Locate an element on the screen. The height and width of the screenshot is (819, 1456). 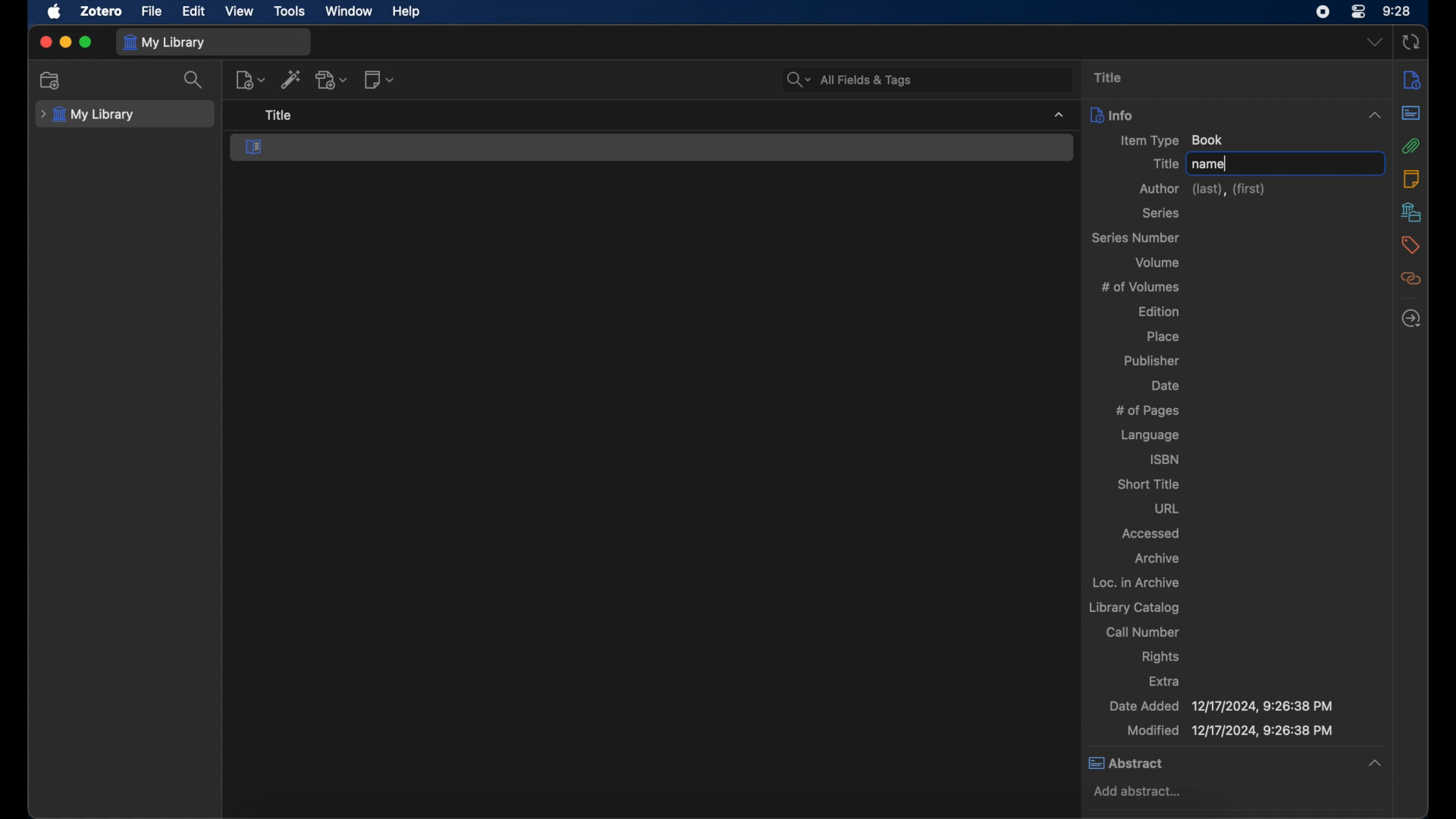
name is located at coordinates (1212, 164).